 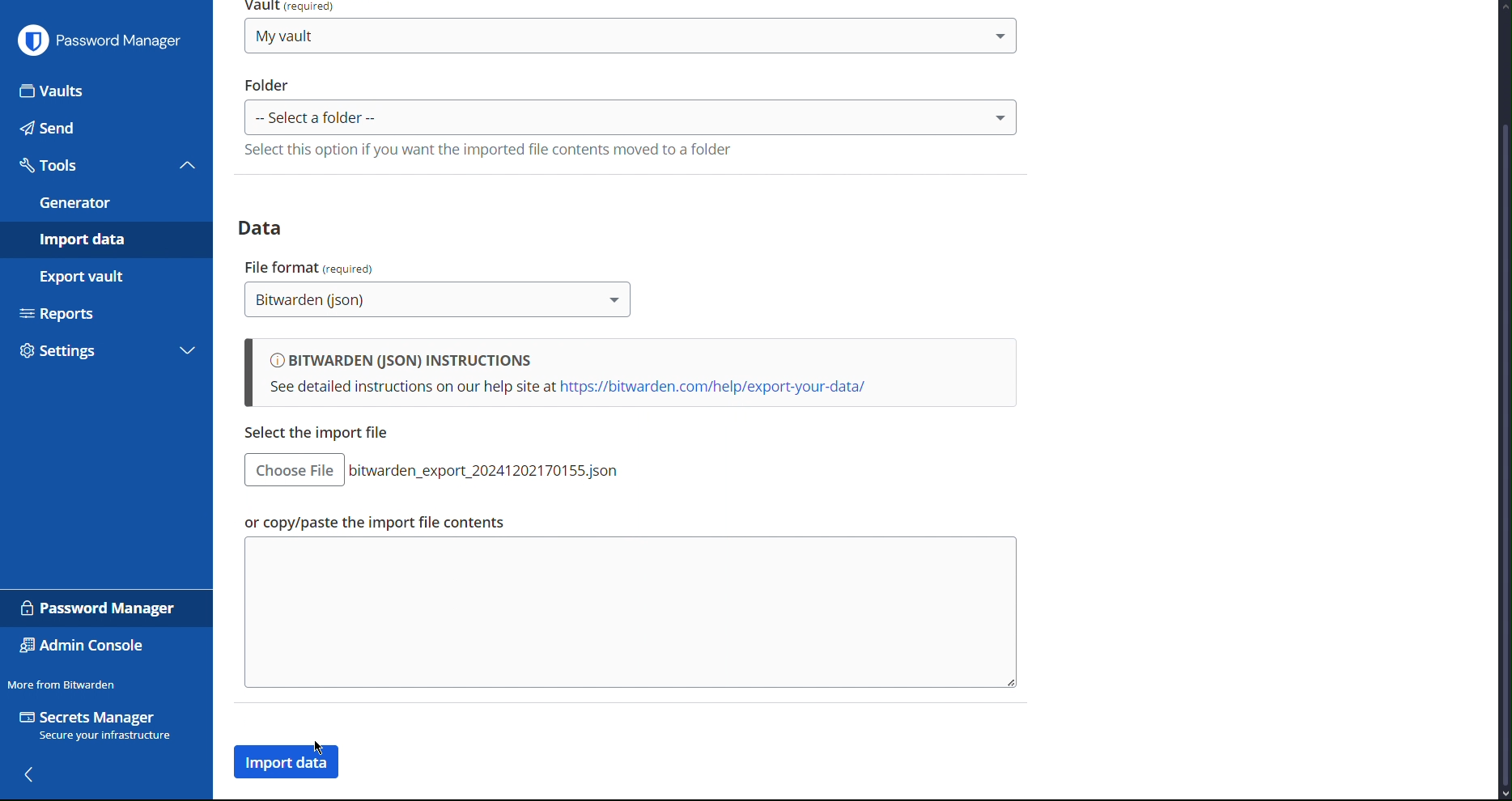 I want to click on Data, so click(x=266, y=227).